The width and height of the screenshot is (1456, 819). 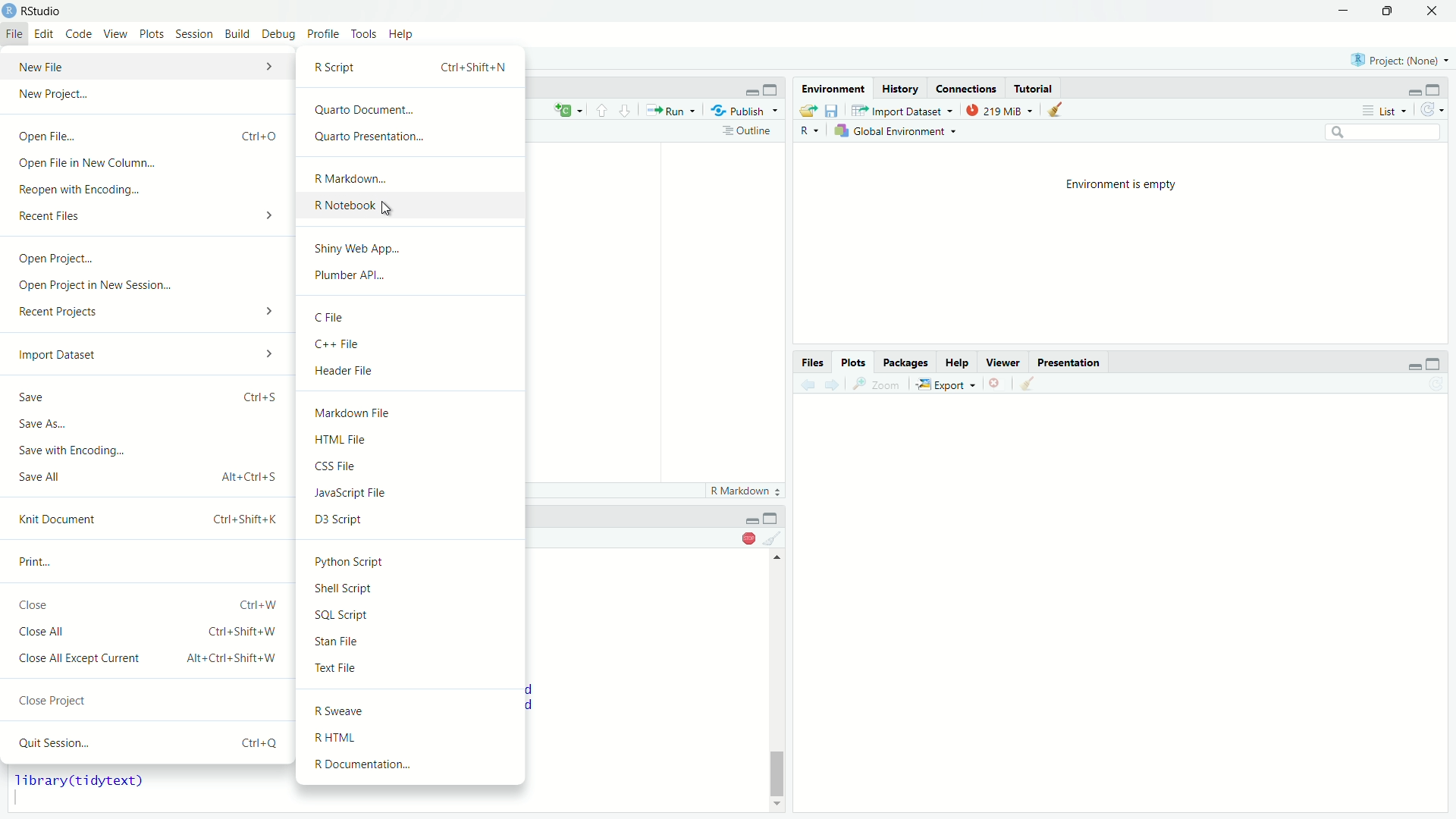 What do you see at coordinates (414, 490) in the screenshot?
I see `JavaScript File` at bounding box center [414, 490].